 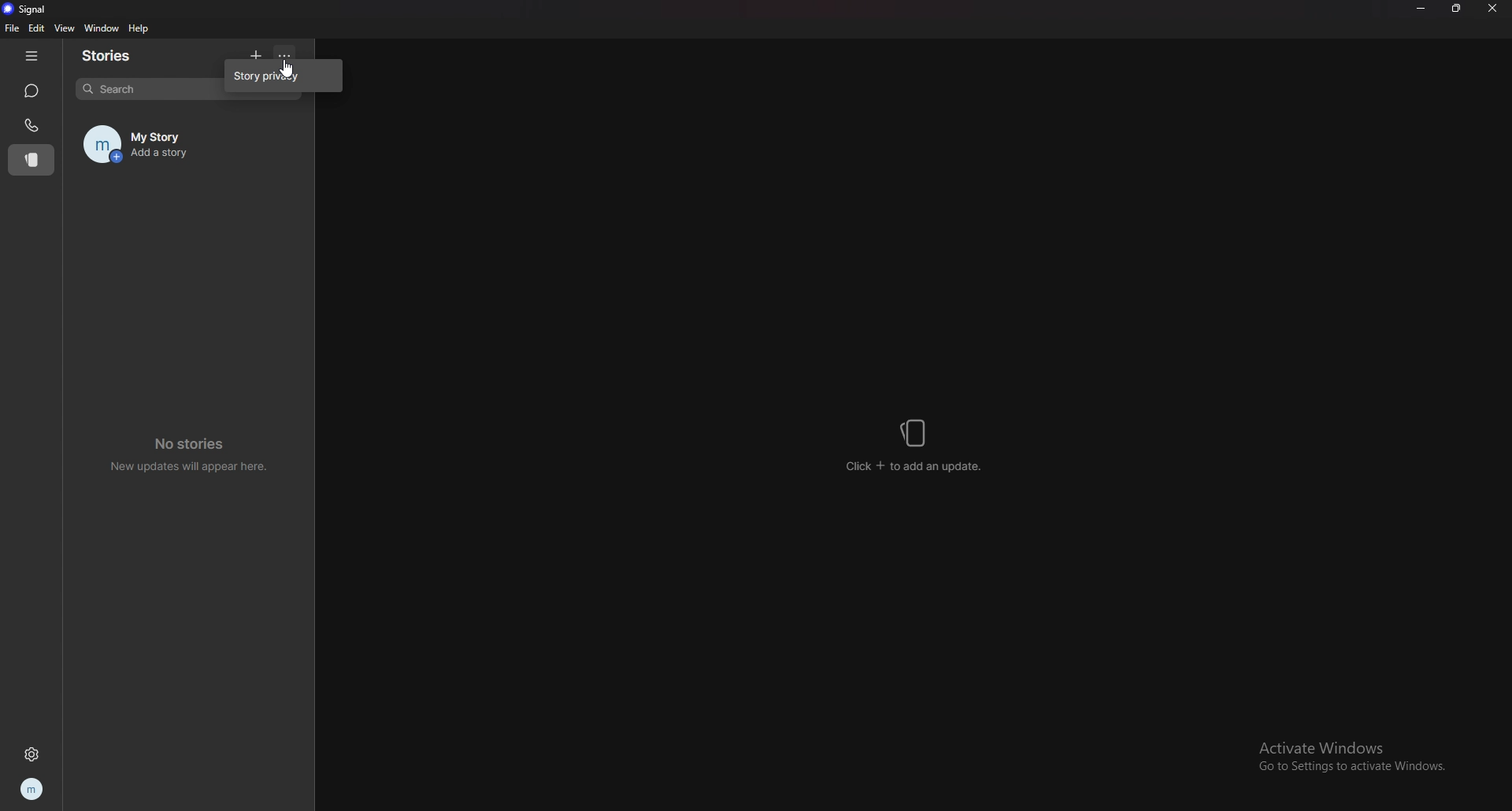 I want to click on hide tab, so click(x=31, y=56).